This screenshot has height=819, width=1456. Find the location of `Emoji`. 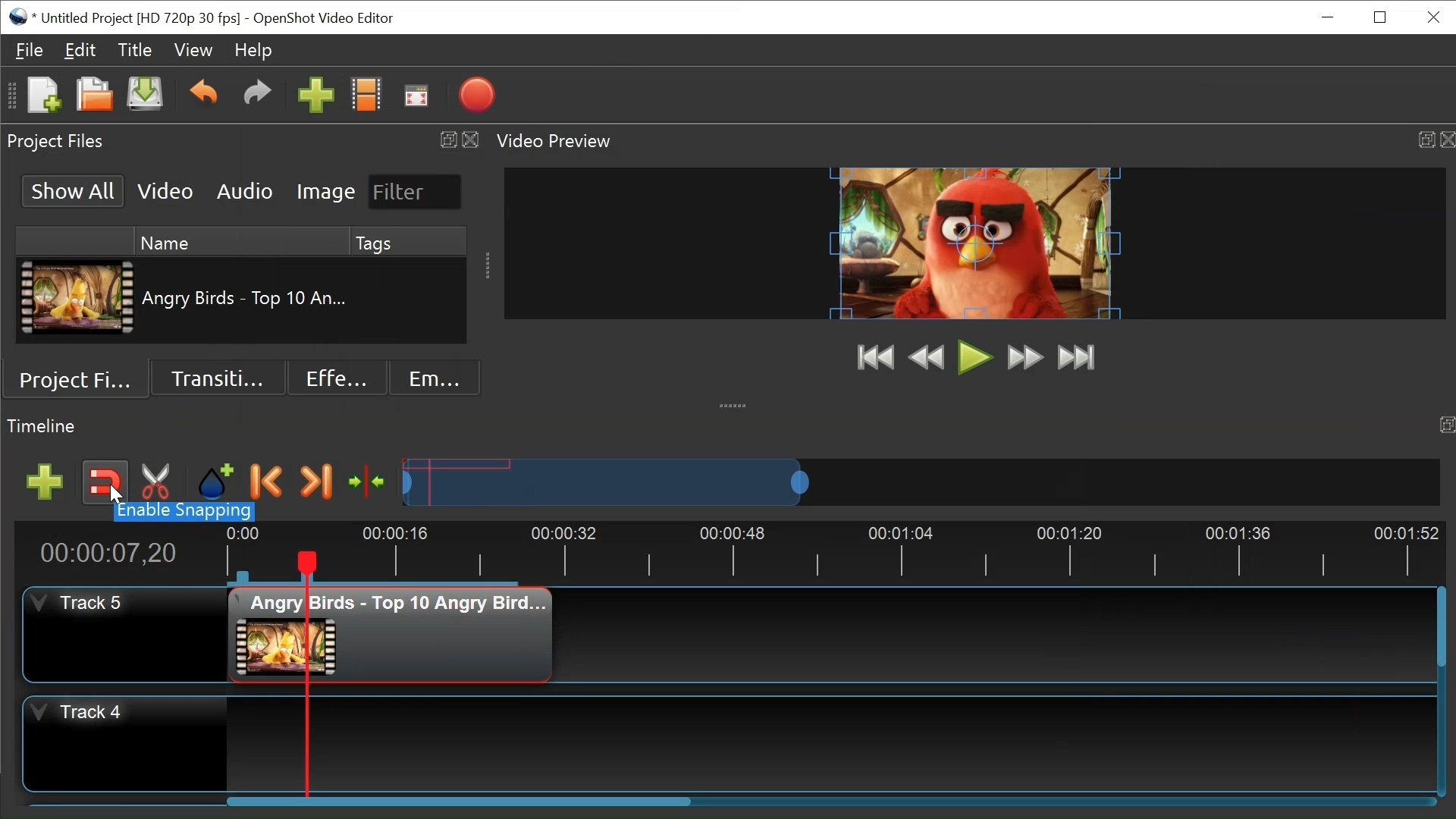

Emoji is located at coordinates (435, 377).